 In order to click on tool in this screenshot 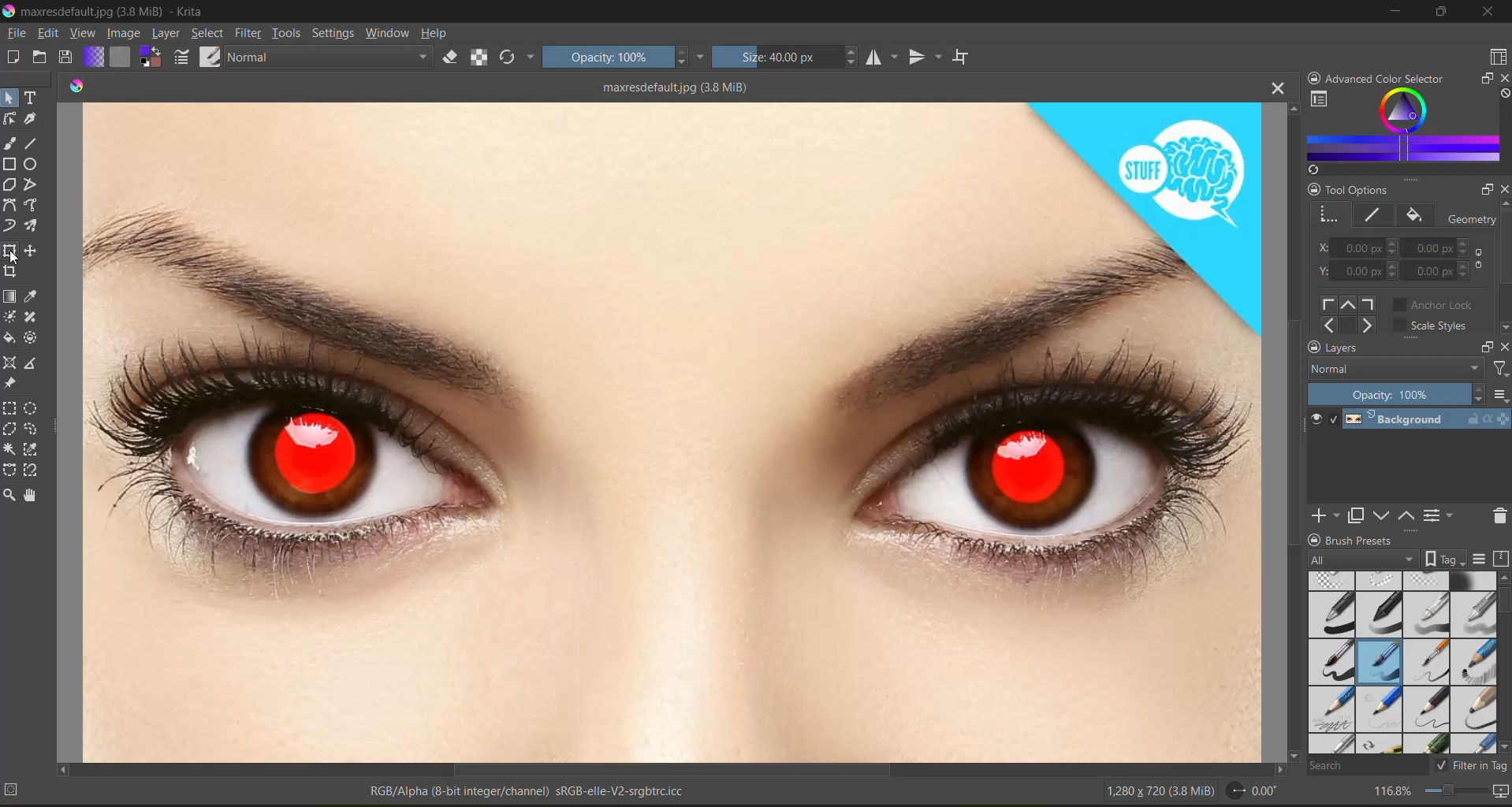, I will do `click(35, 225)`.